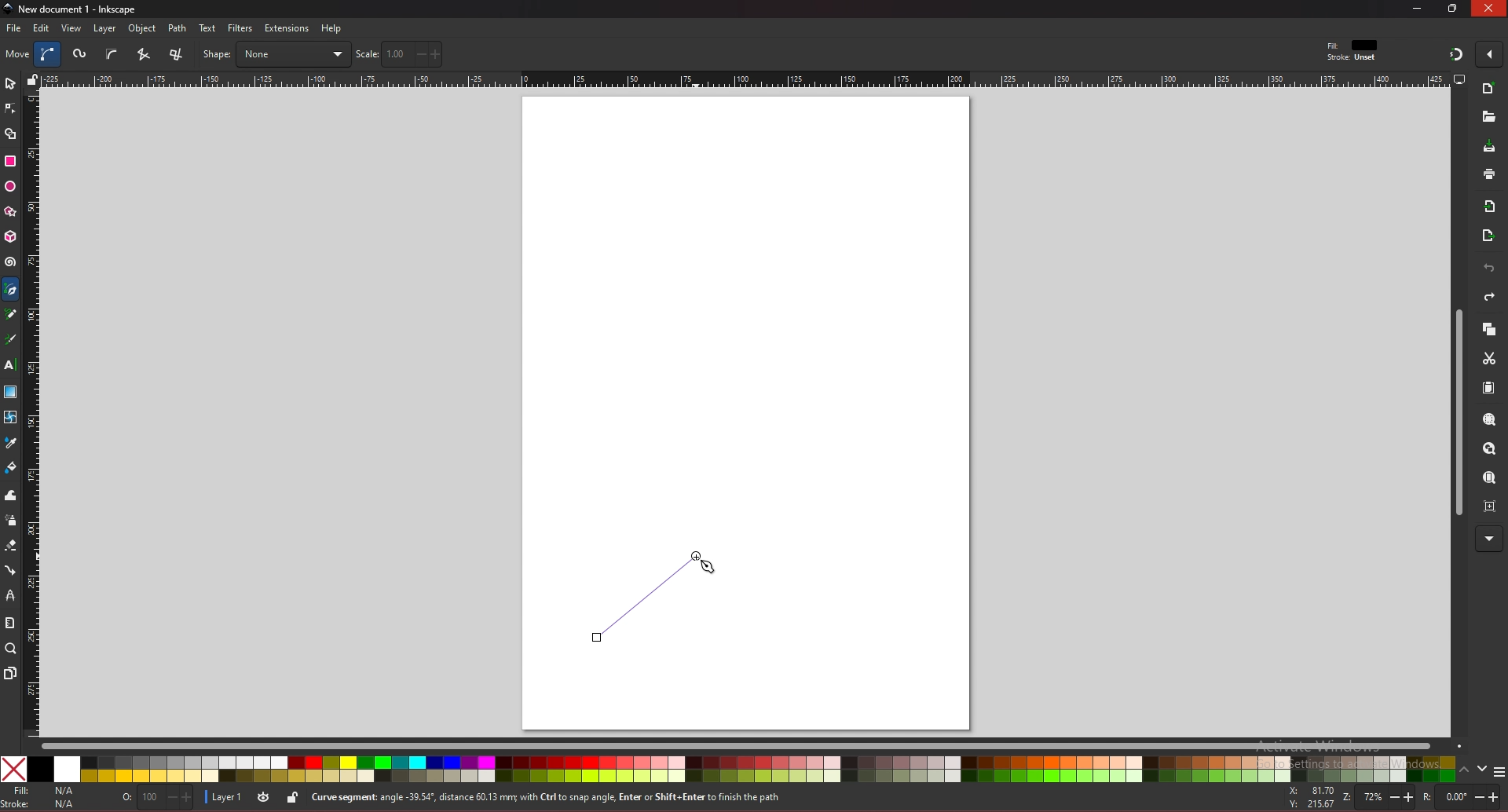 Image resolution: width=1508 pixels, height=812 pixels. I want to click on up, so click(1465, 772).